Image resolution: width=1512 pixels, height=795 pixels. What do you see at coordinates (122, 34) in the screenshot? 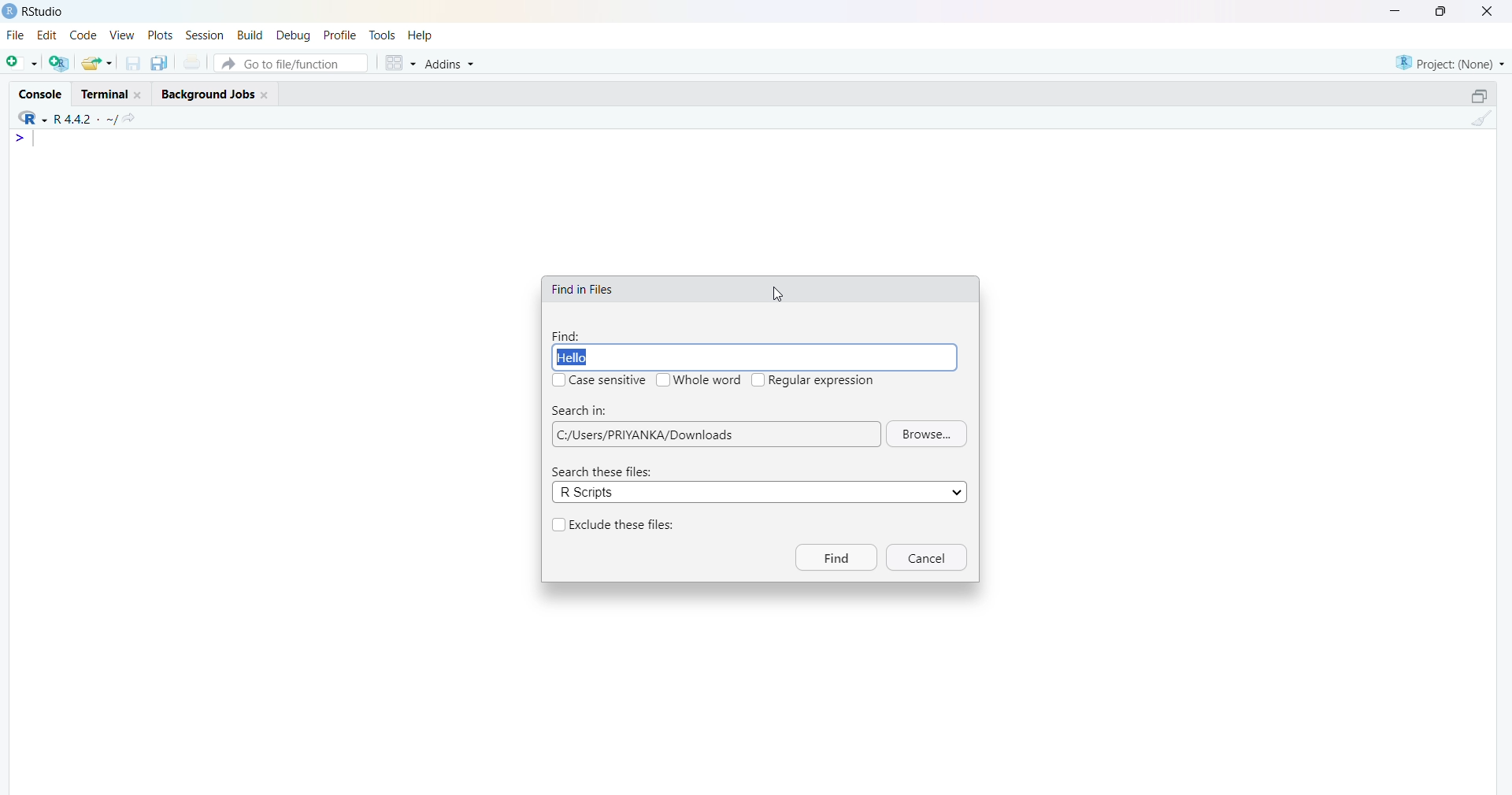
I see `view` at bounding box center [122, 34].